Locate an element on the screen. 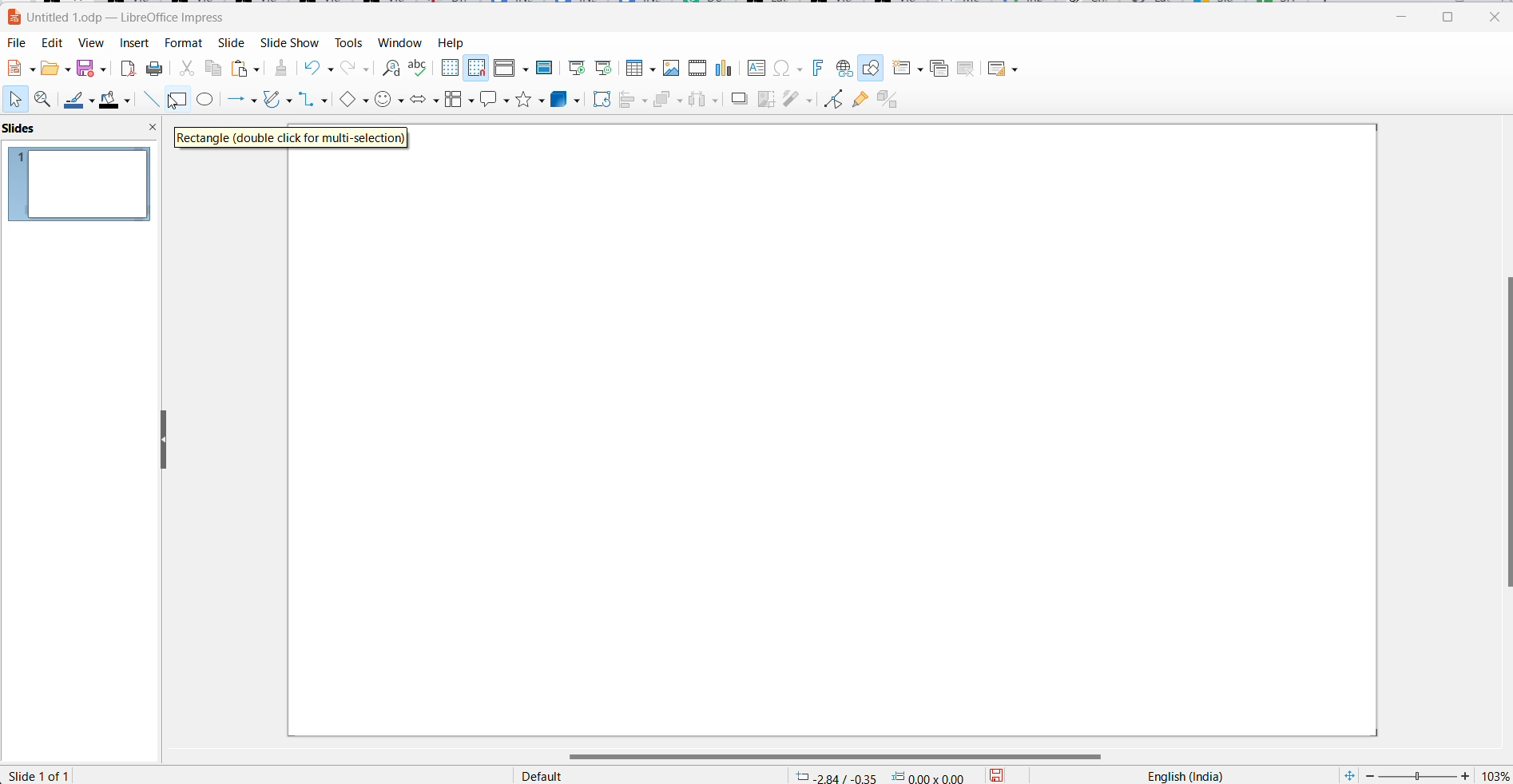  Duplicate slide is located at coordinates (939, 69).